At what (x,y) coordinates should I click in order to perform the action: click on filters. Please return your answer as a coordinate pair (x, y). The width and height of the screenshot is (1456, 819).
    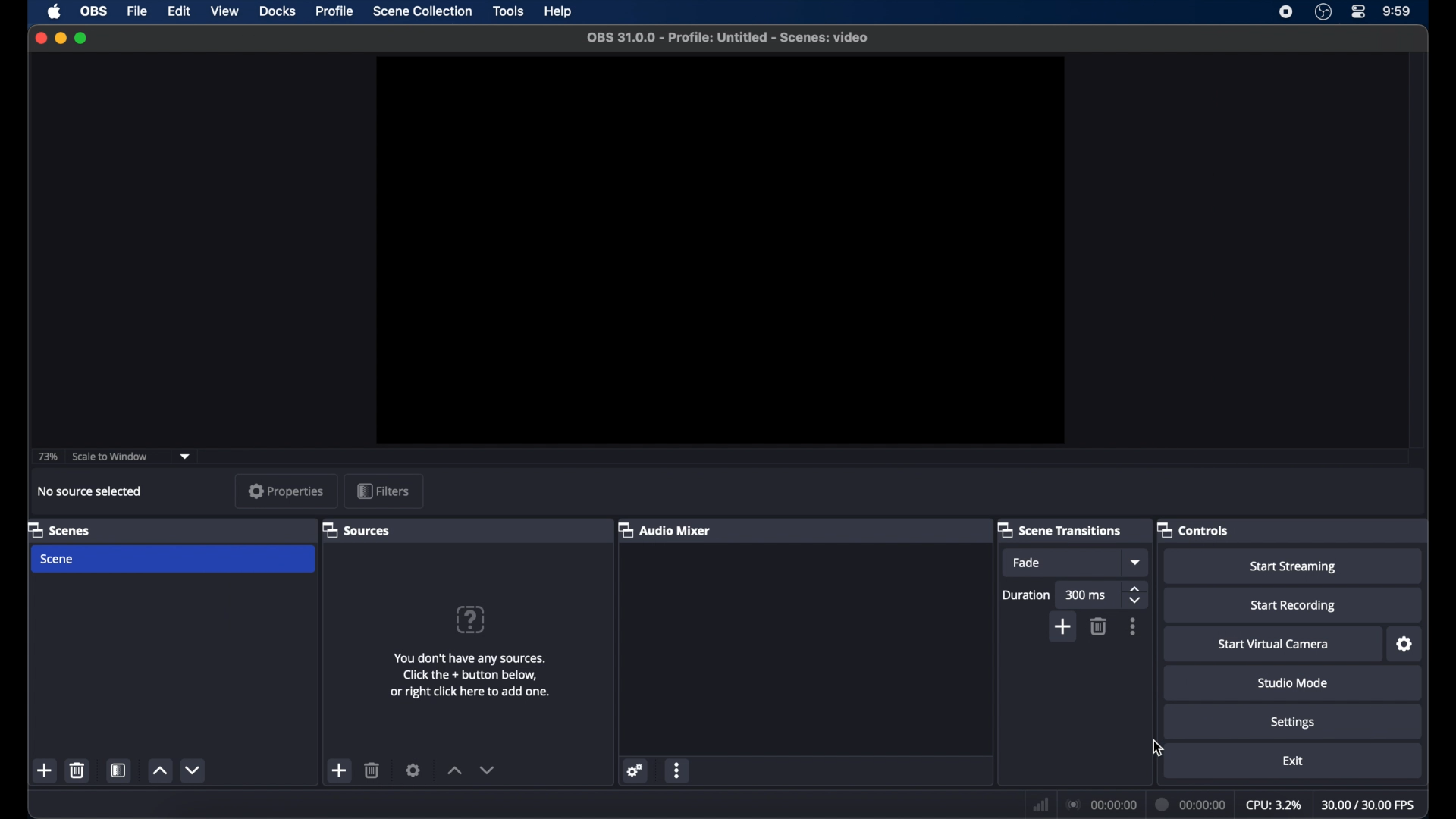
    Looking at the image, I should click on (383, 491).